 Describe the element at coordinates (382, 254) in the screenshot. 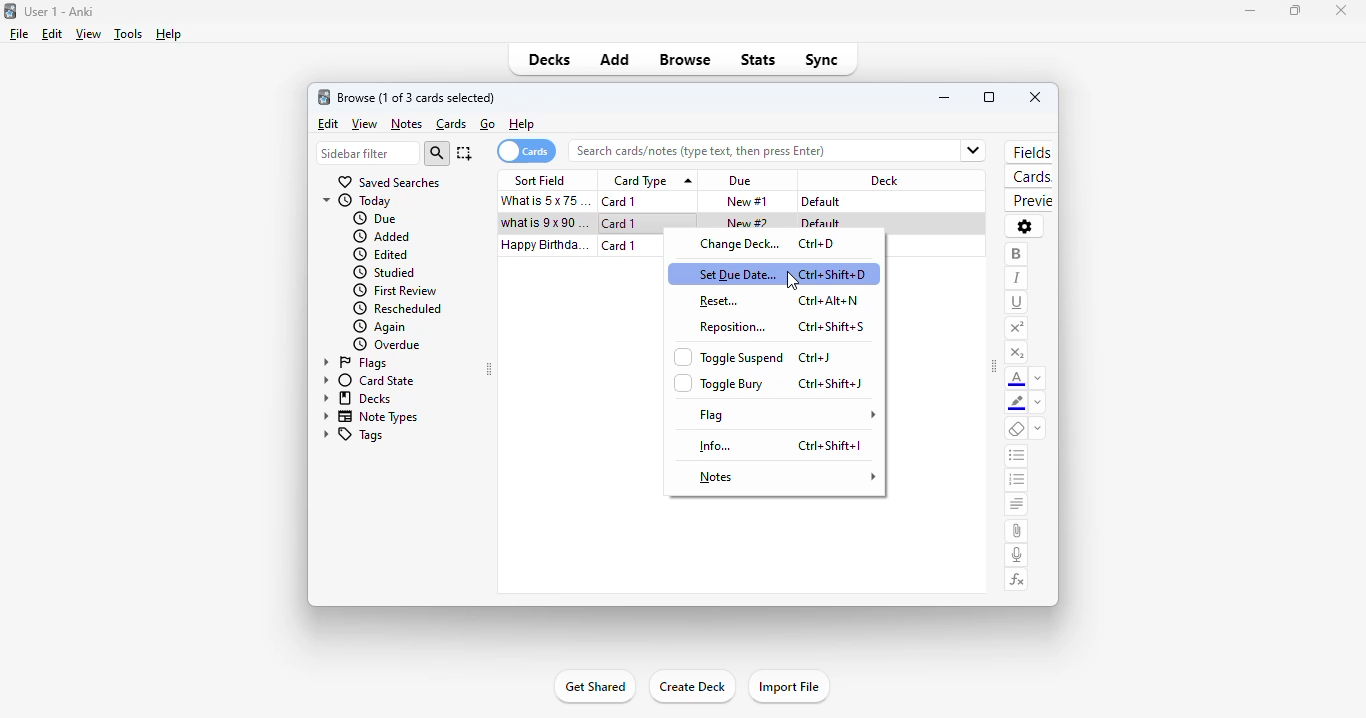

I see `edited` at that location.